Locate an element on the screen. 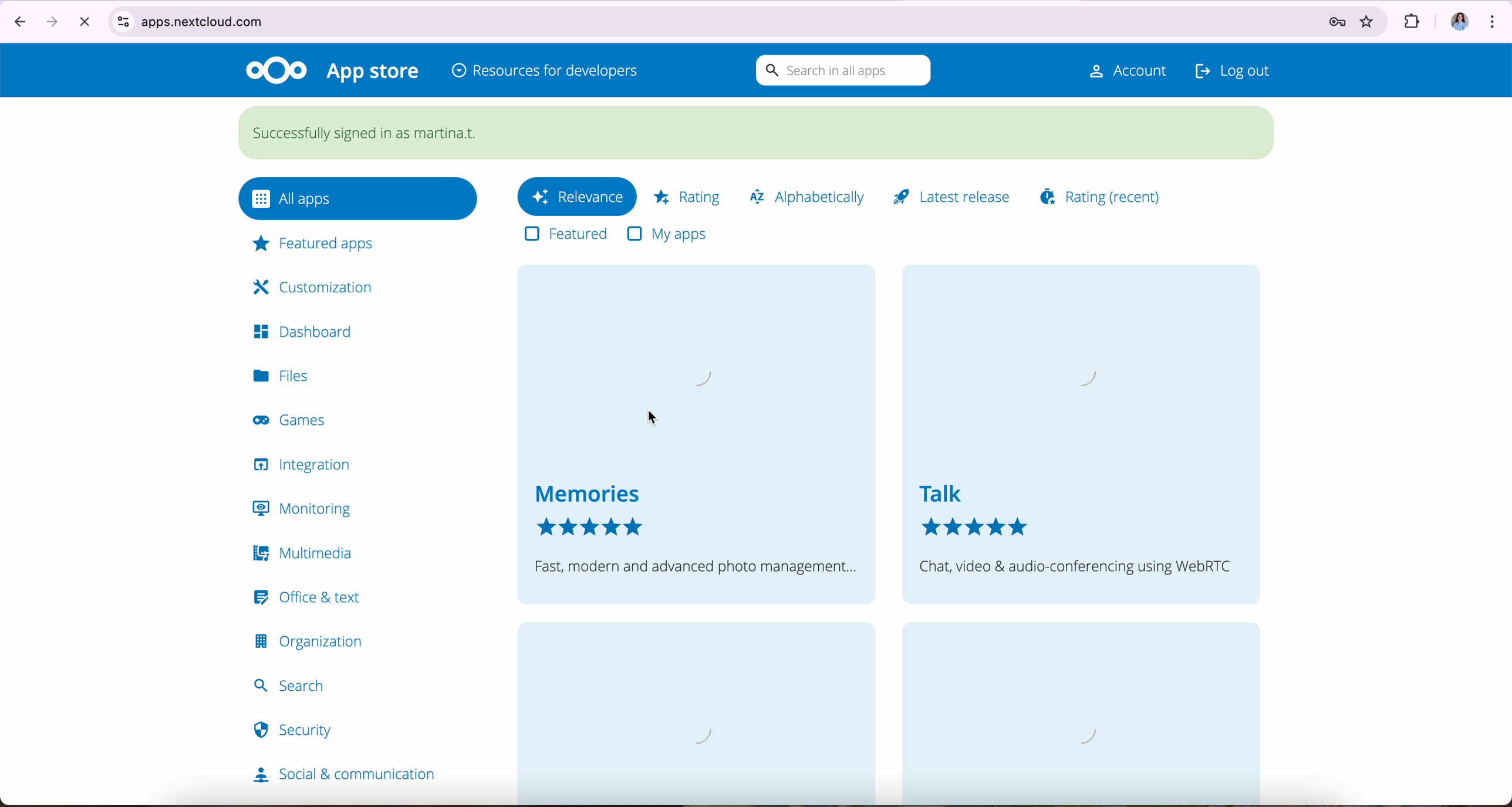 The height and width of the screenshot is (807, 1512). resources for developers is located at coordinates (545, 72).